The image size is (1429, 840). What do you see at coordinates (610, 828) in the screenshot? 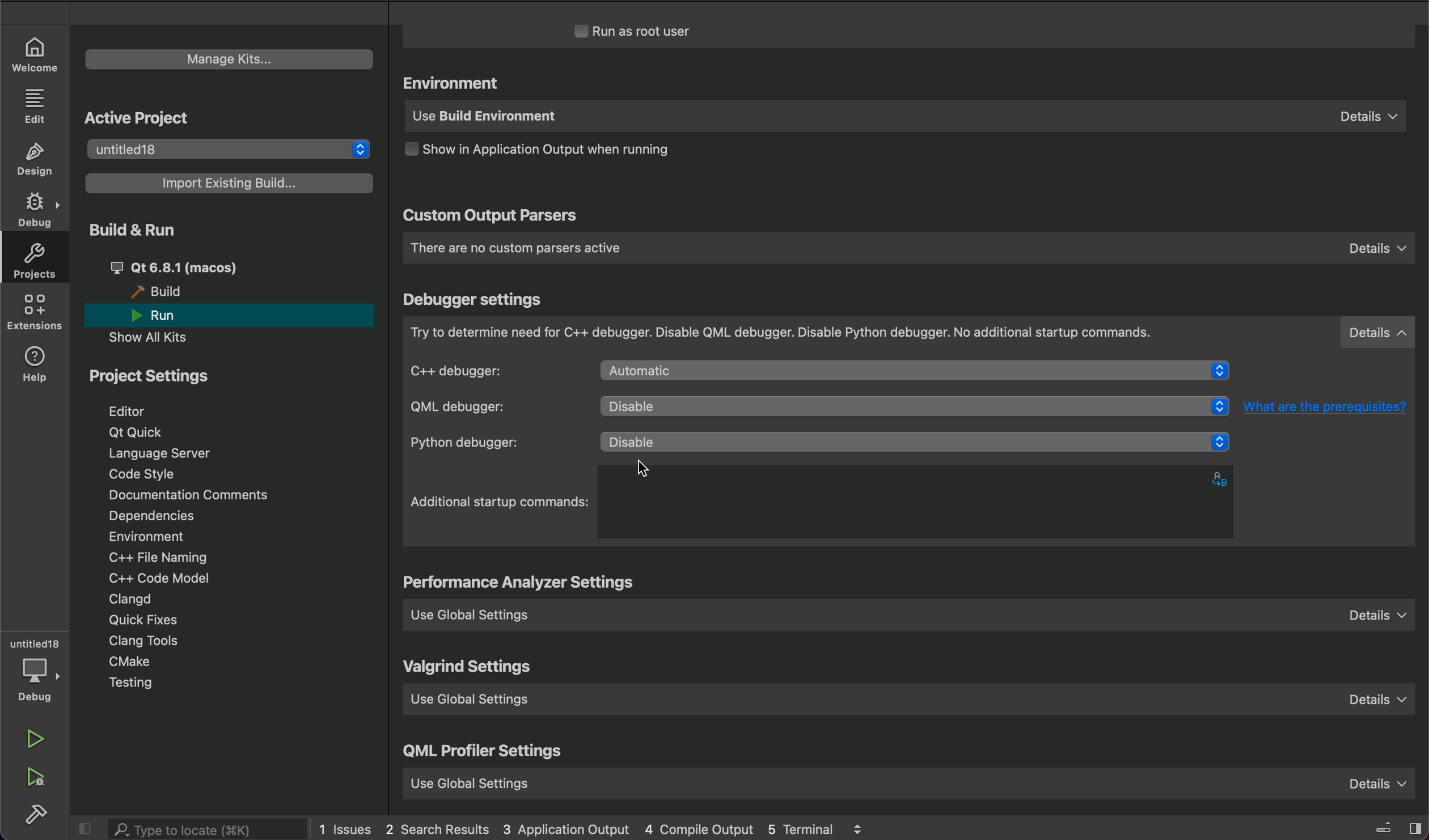
I see `logs` at bounding box center [610, 828].